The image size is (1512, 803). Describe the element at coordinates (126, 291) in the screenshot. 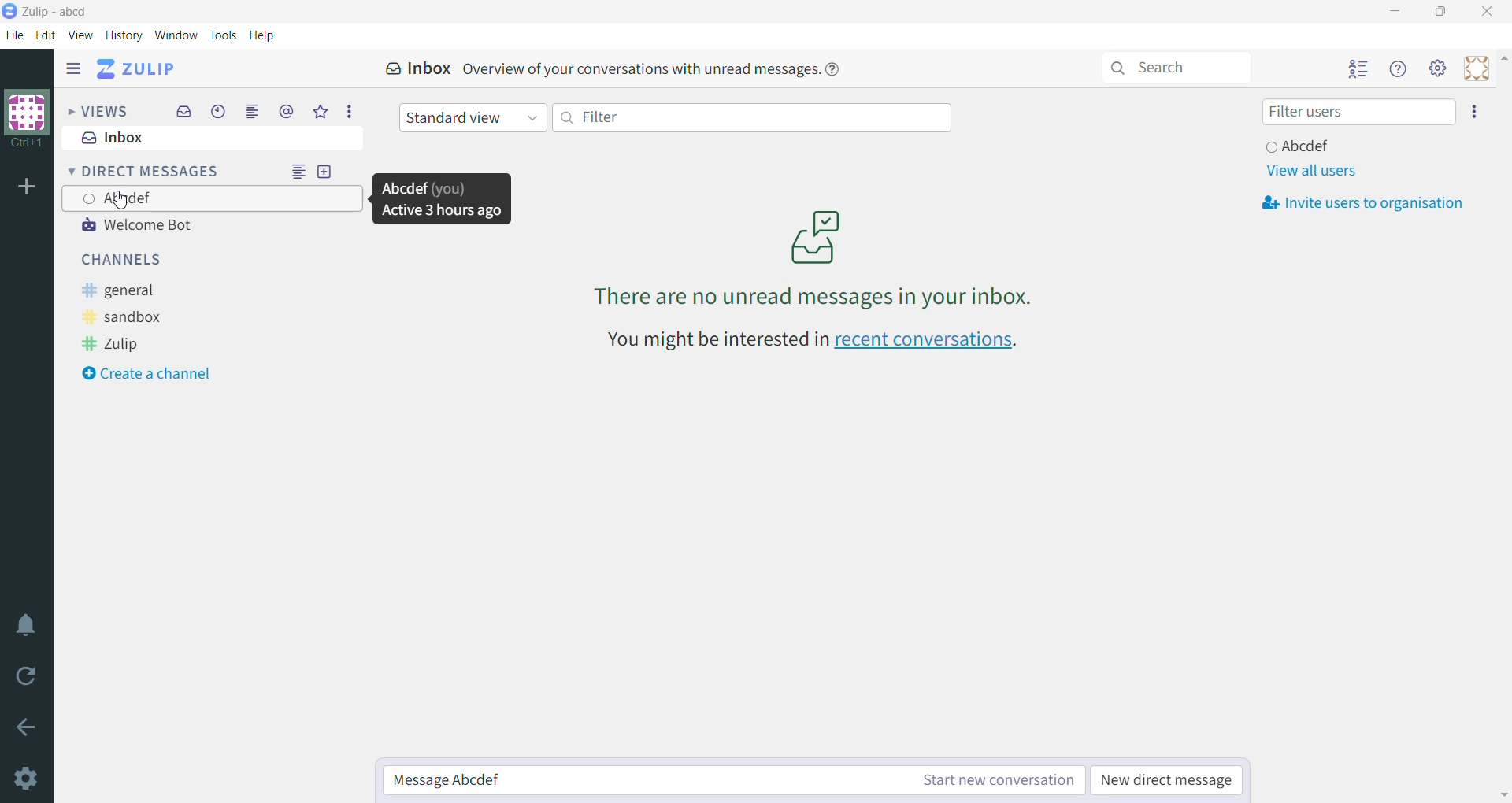

I see `general` at that location.